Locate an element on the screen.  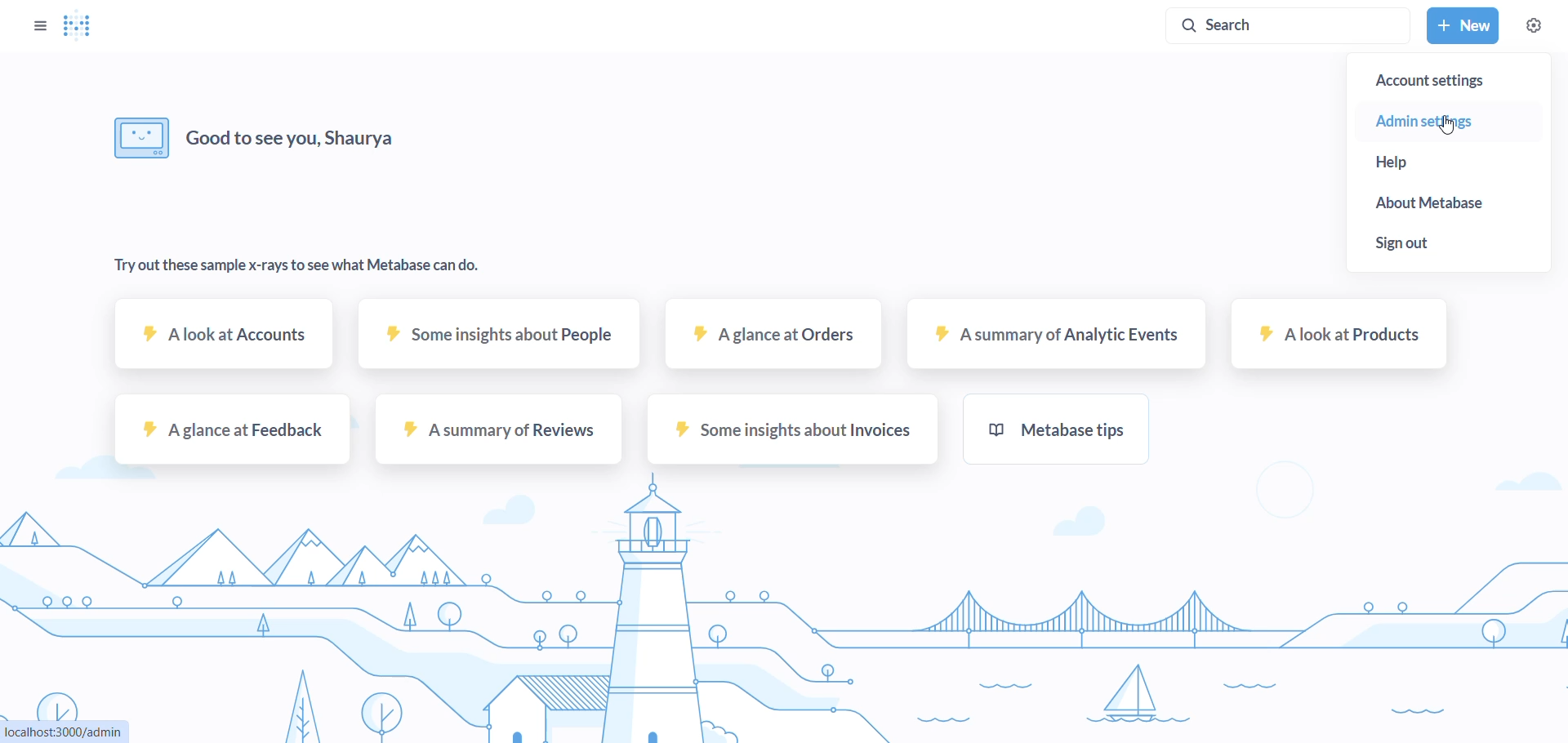
Logo is located at coordinates (80, 26).